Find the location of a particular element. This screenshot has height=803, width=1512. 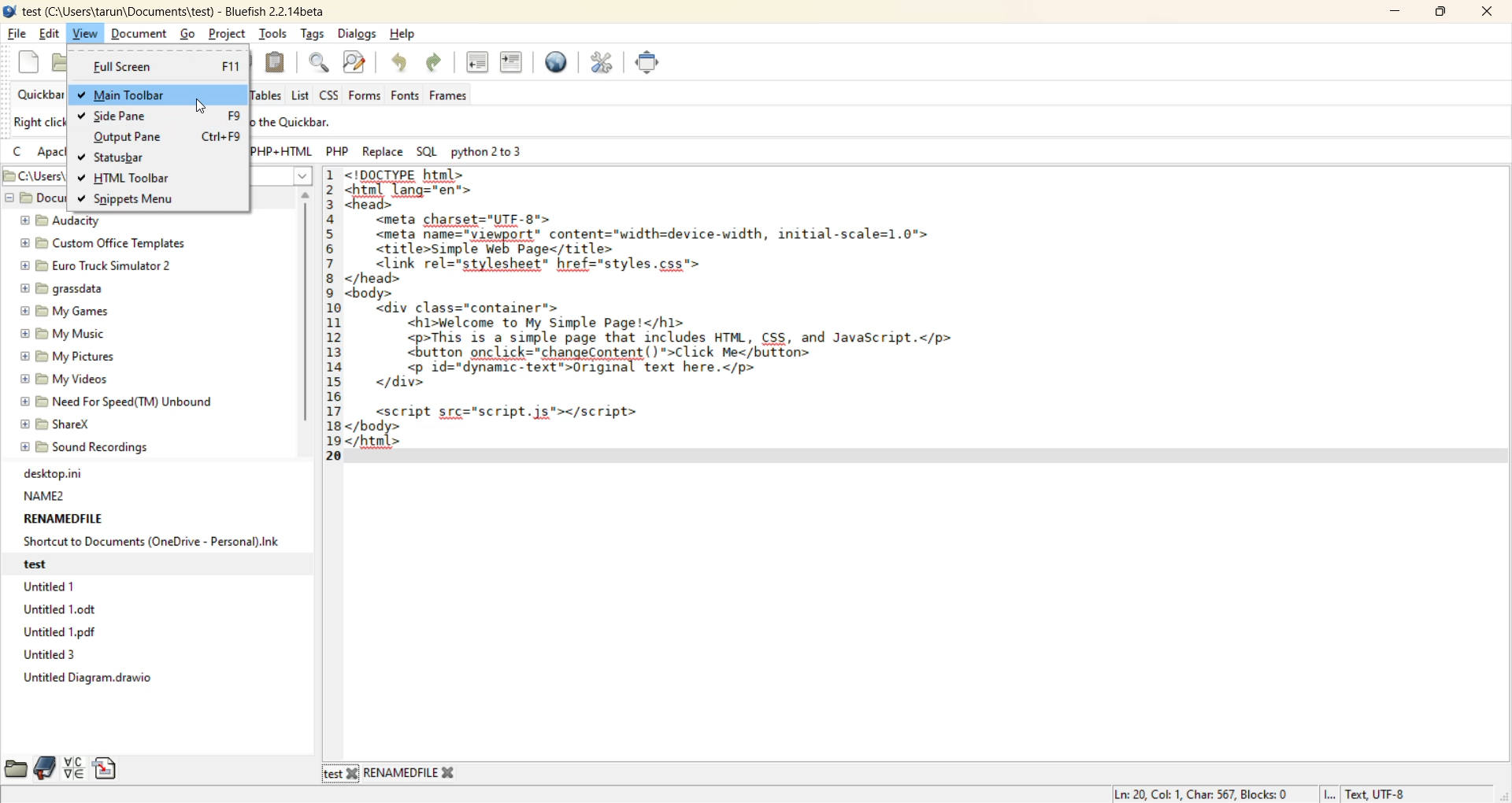

tools is located at coordinates (275, 32).